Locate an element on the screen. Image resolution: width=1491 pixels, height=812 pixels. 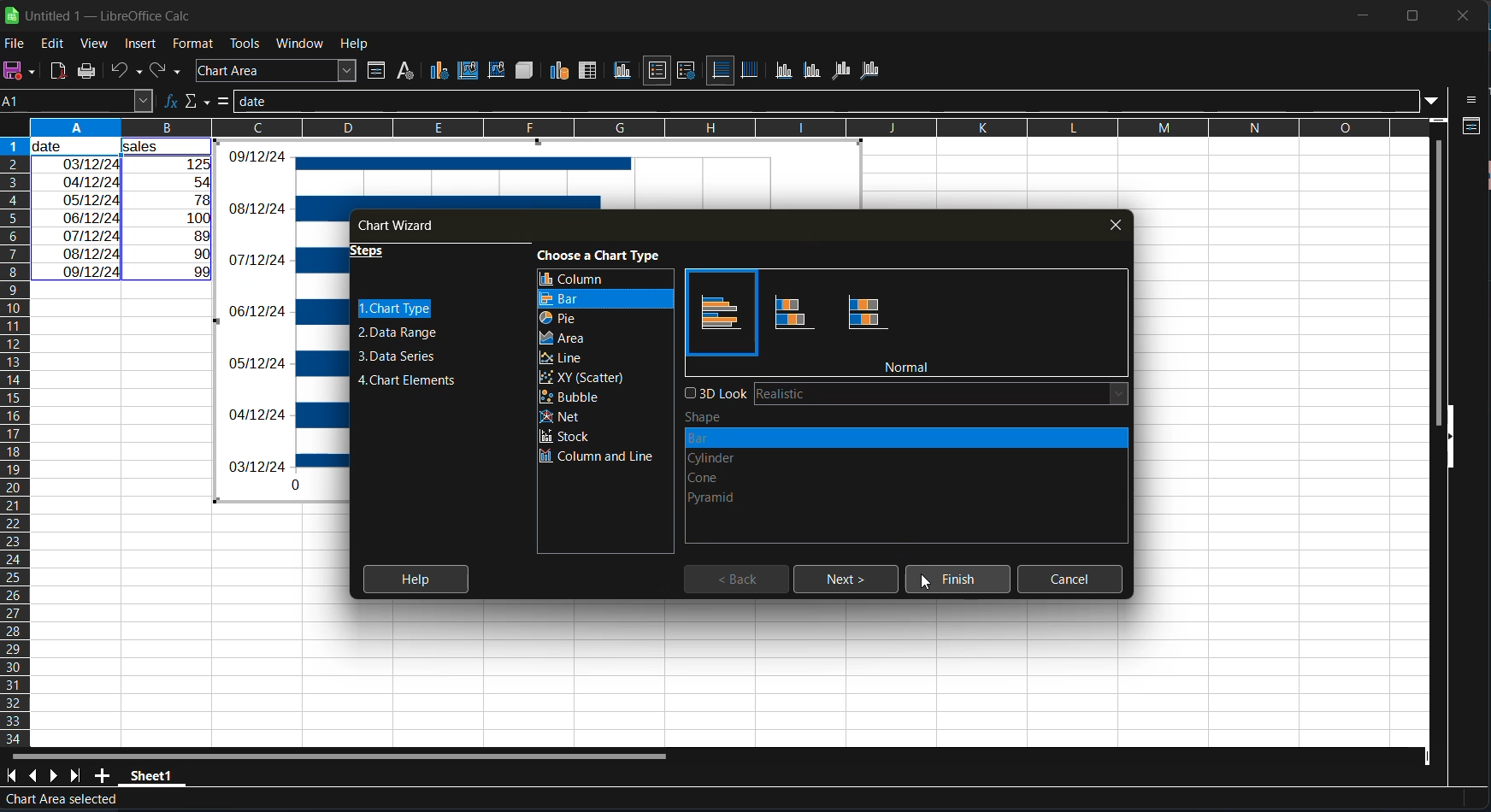
titles is located at coordinates (625, 72).